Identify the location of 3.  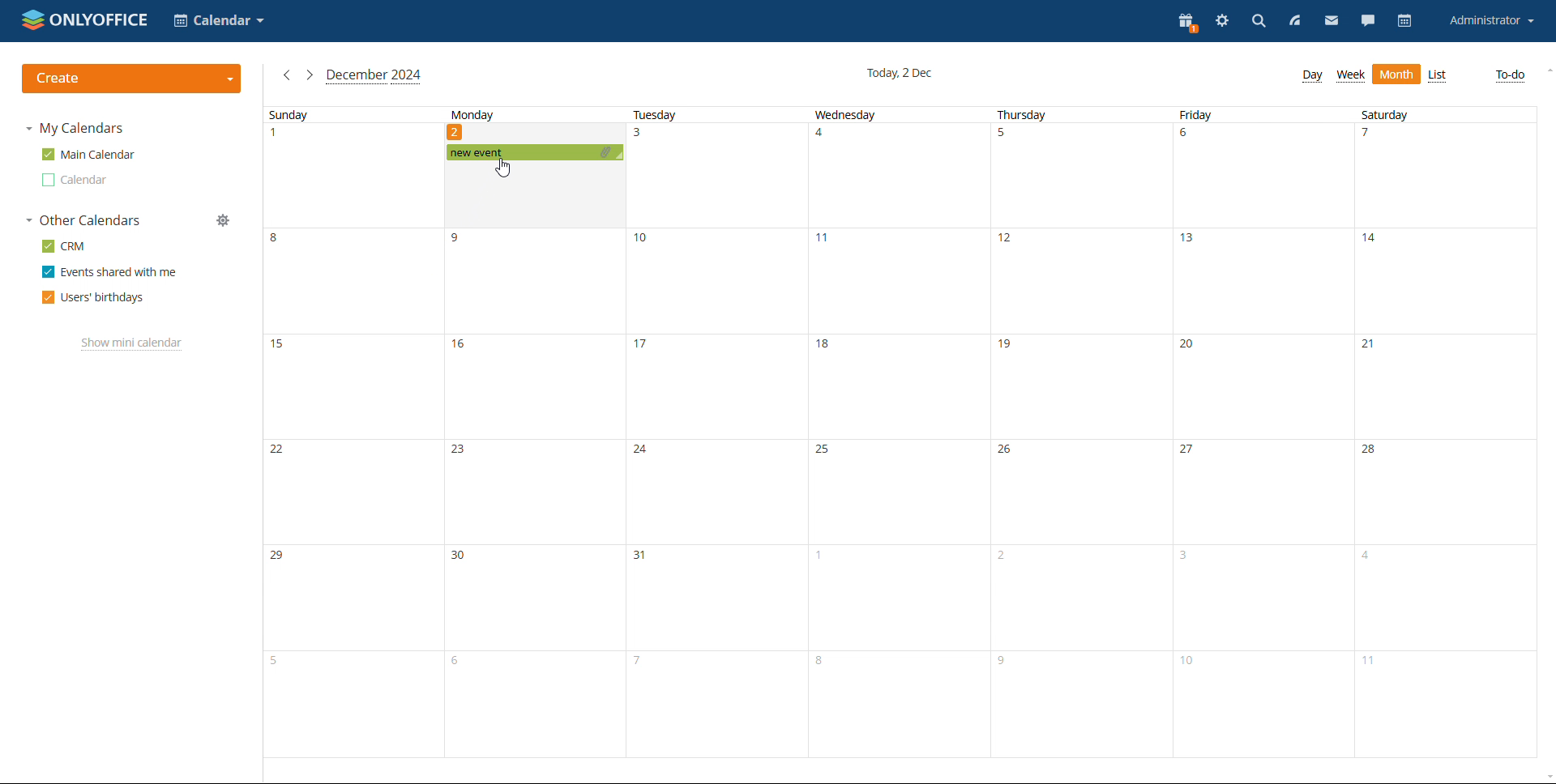
(643, 139).